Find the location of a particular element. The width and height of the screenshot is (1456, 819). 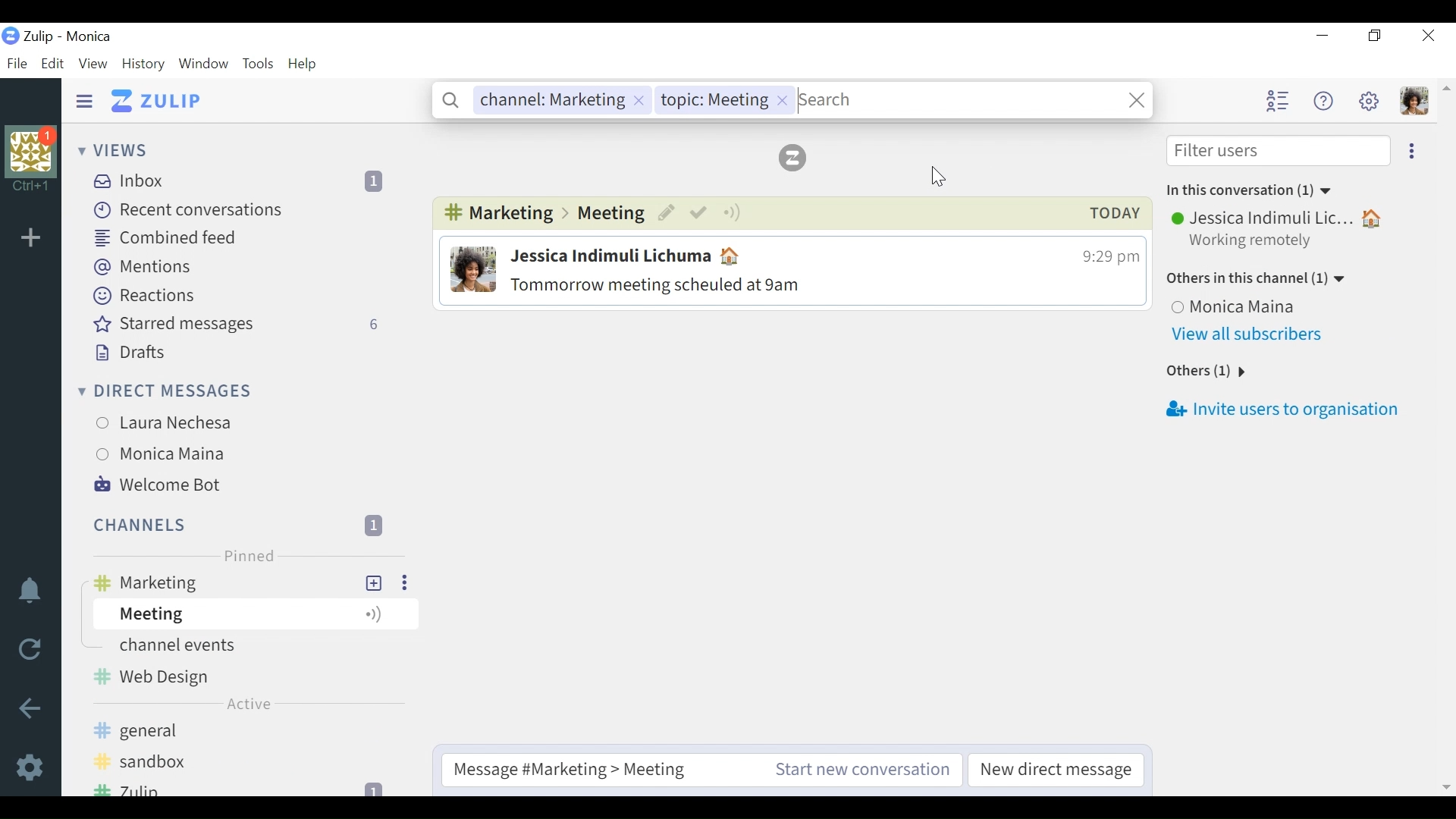

Ellipsis is located at coordinates (406, 582).